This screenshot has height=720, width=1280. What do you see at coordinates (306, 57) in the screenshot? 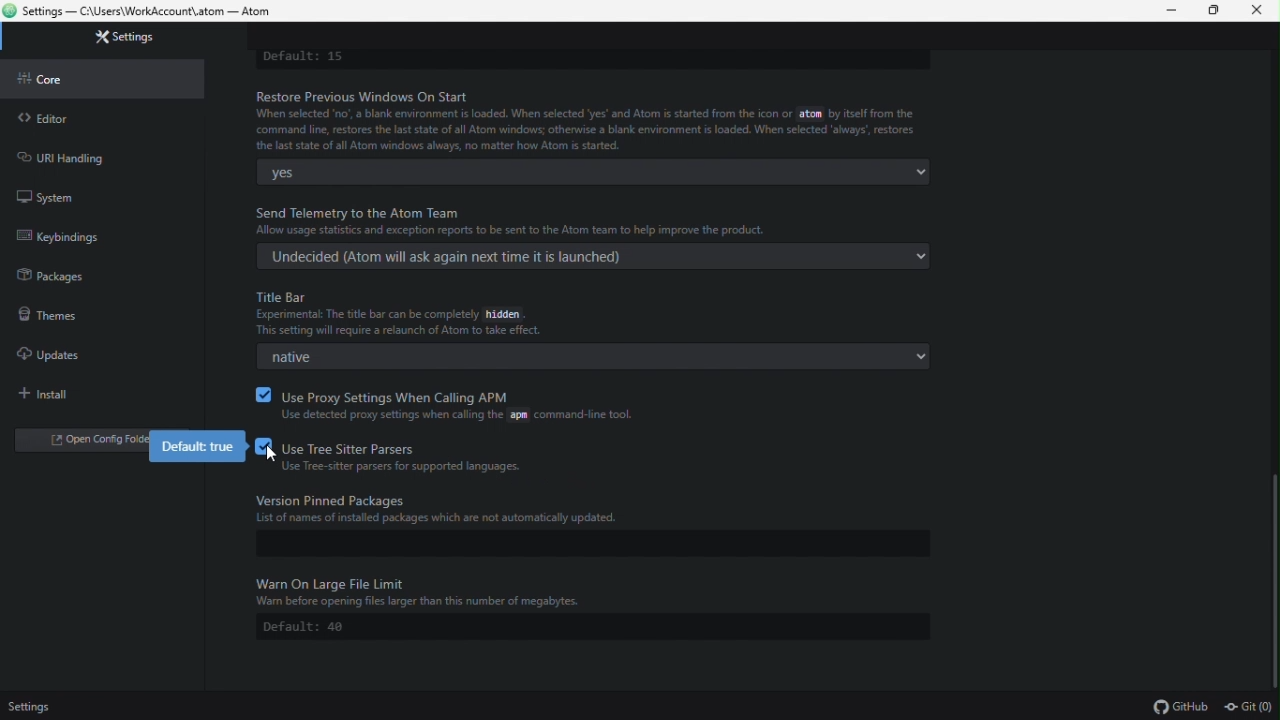
I see `default 15` at bounding box center [306, 57].